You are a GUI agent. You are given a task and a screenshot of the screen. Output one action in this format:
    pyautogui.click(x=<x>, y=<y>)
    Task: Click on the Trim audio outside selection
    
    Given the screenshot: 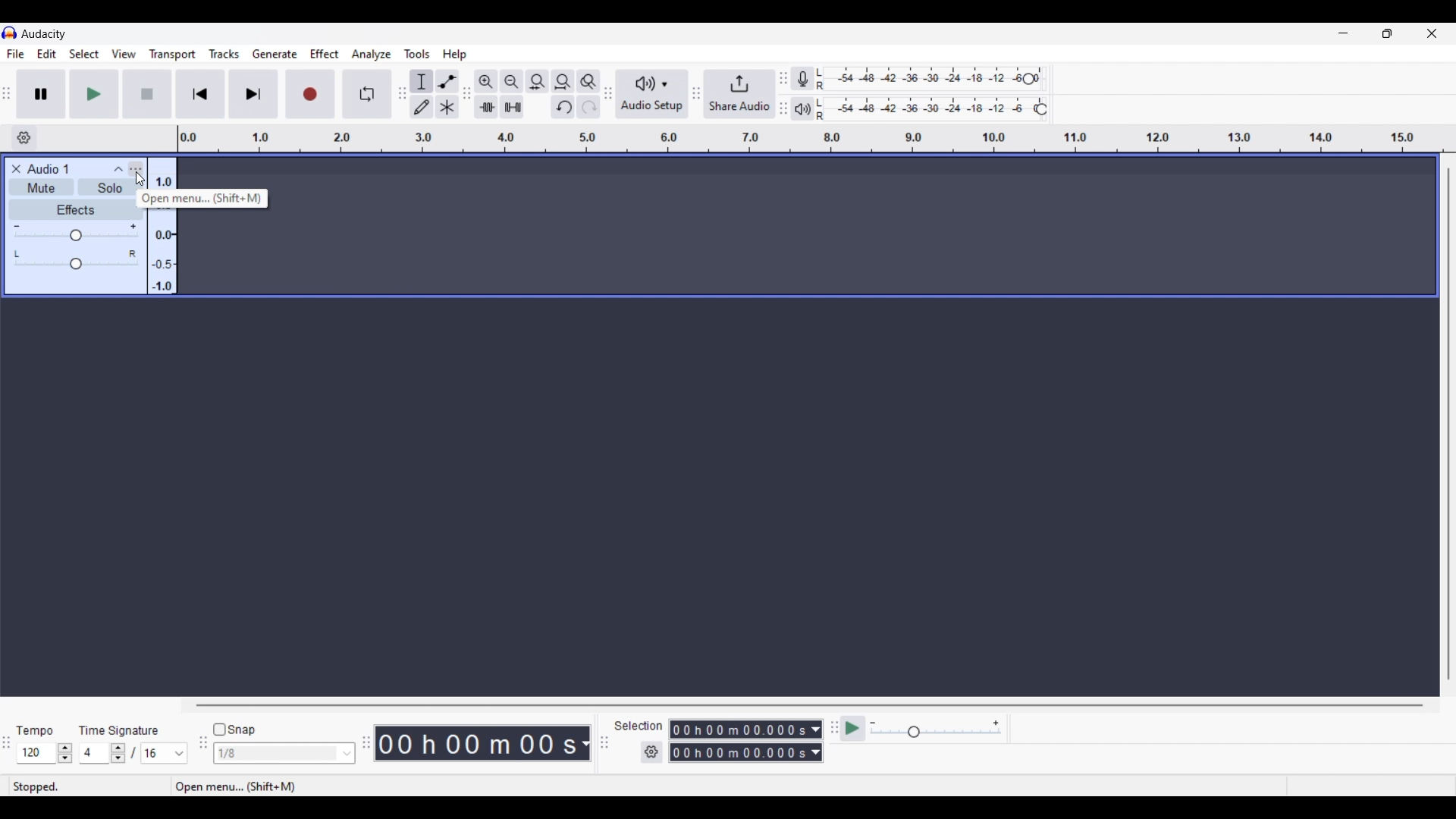 What is the action you would take?
    pyautogui.click(x=485, y=106)
    